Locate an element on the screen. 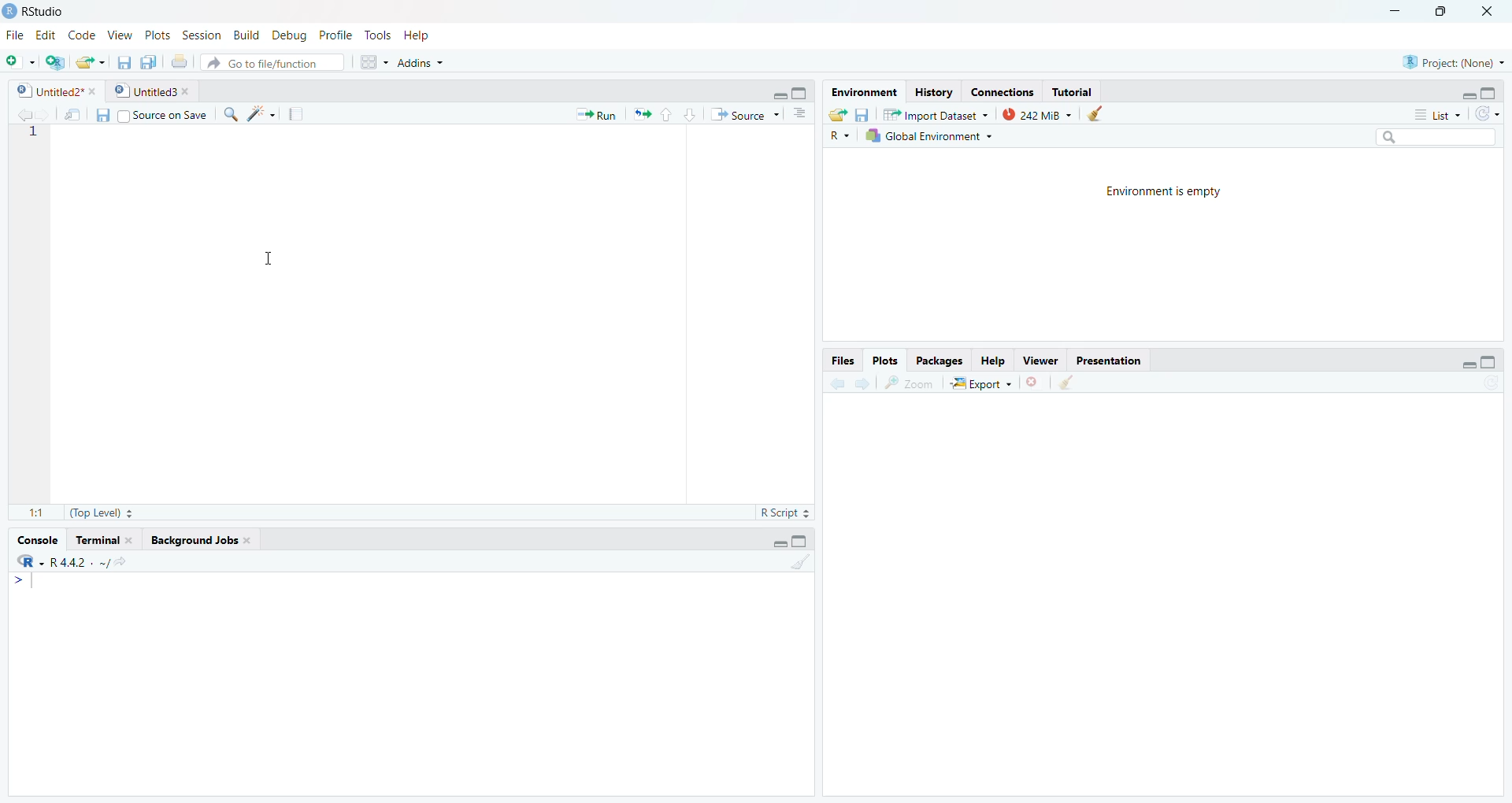 This screenshot has width=1512, height=803. Environment is located at coordinates (862, 93).